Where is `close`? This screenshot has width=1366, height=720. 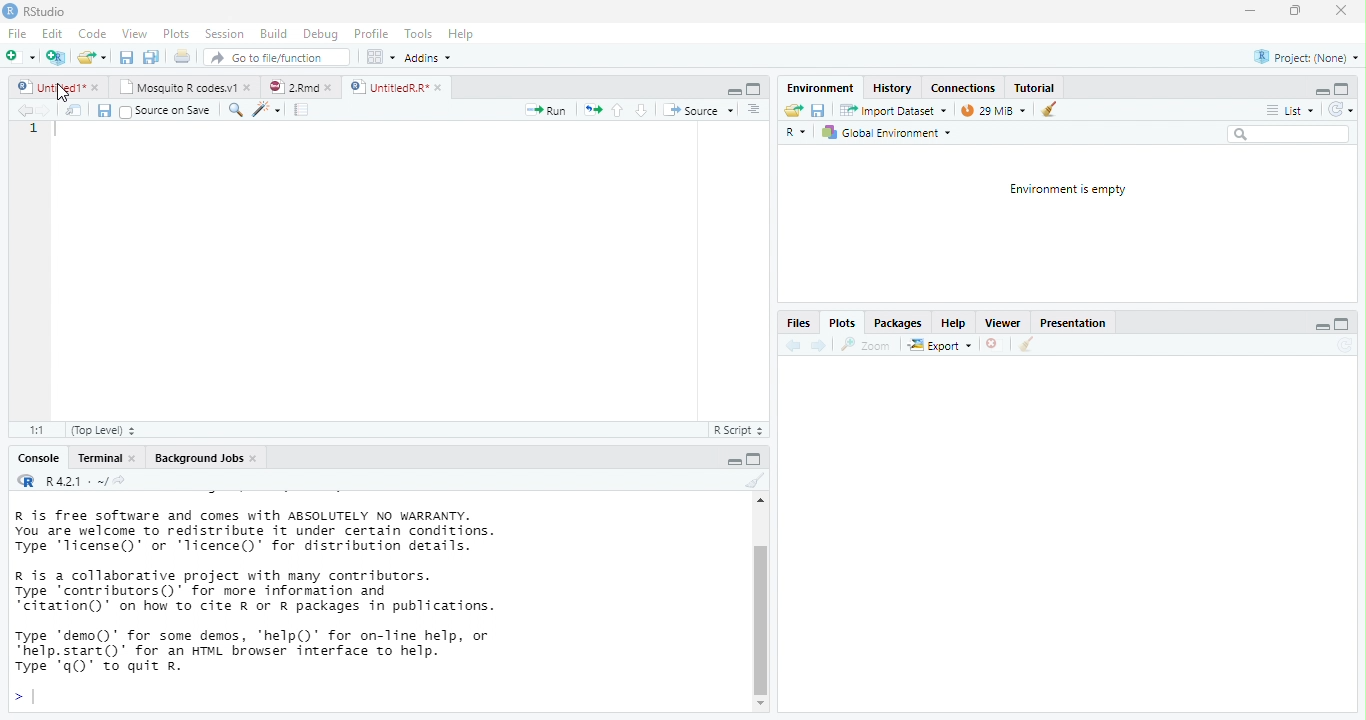 close is located at coordinates (1340, 11).